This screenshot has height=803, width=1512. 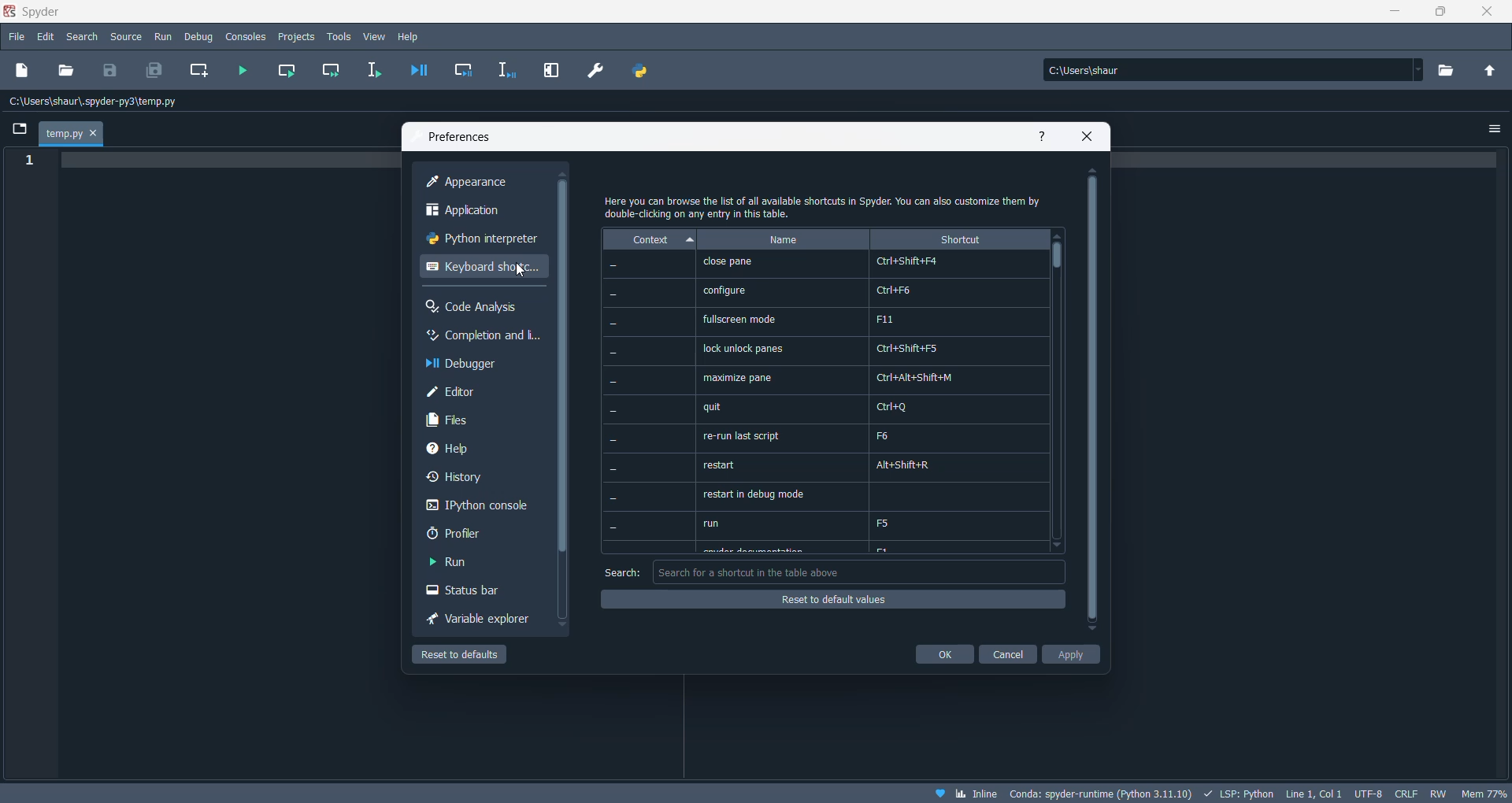 What do you see at coordinates (481, 272) in the screenshot?
I see `keyboard shortcut` at bounding box center [481, 272].